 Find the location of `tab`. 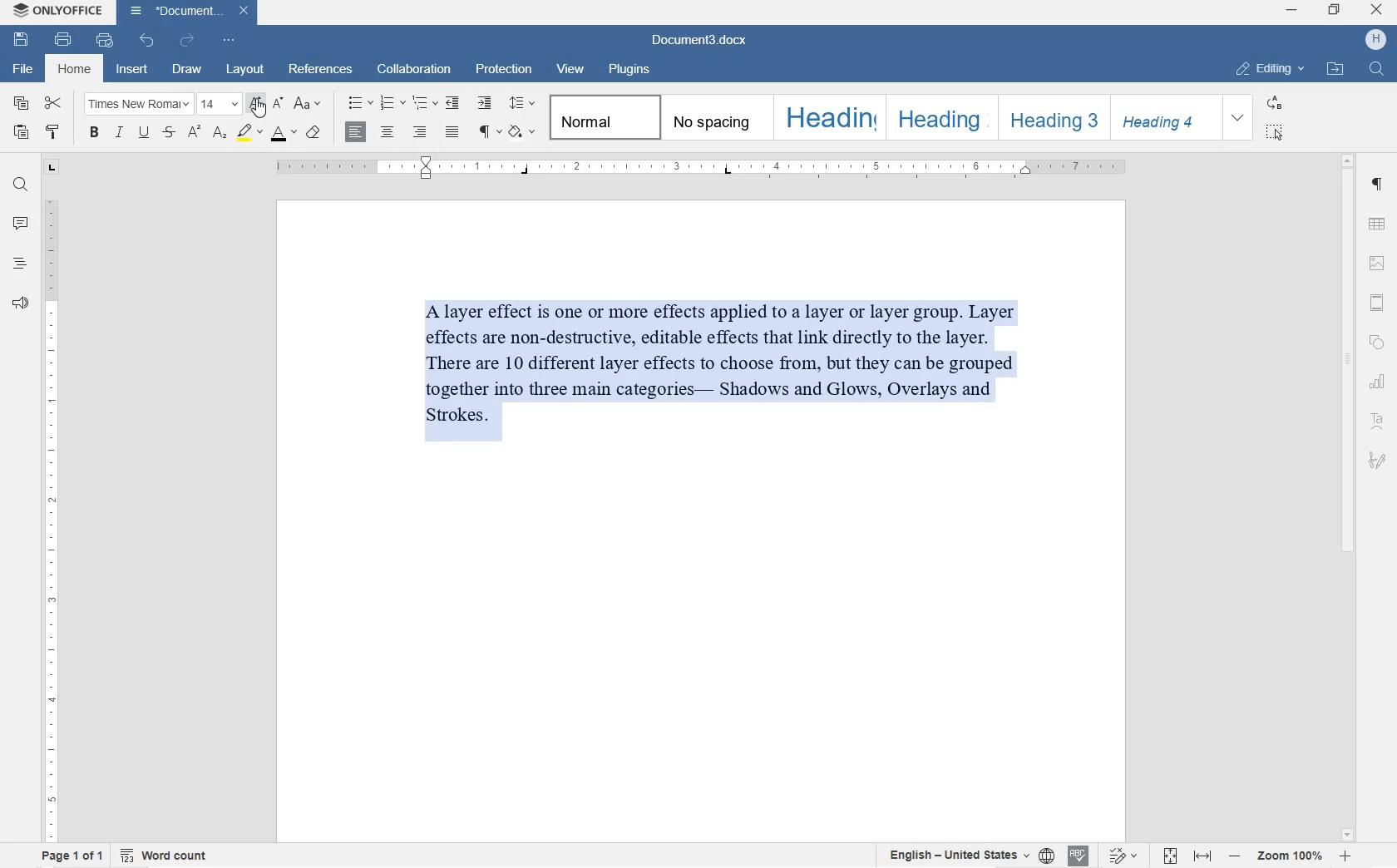

tab is located at coordinates (52, 168).